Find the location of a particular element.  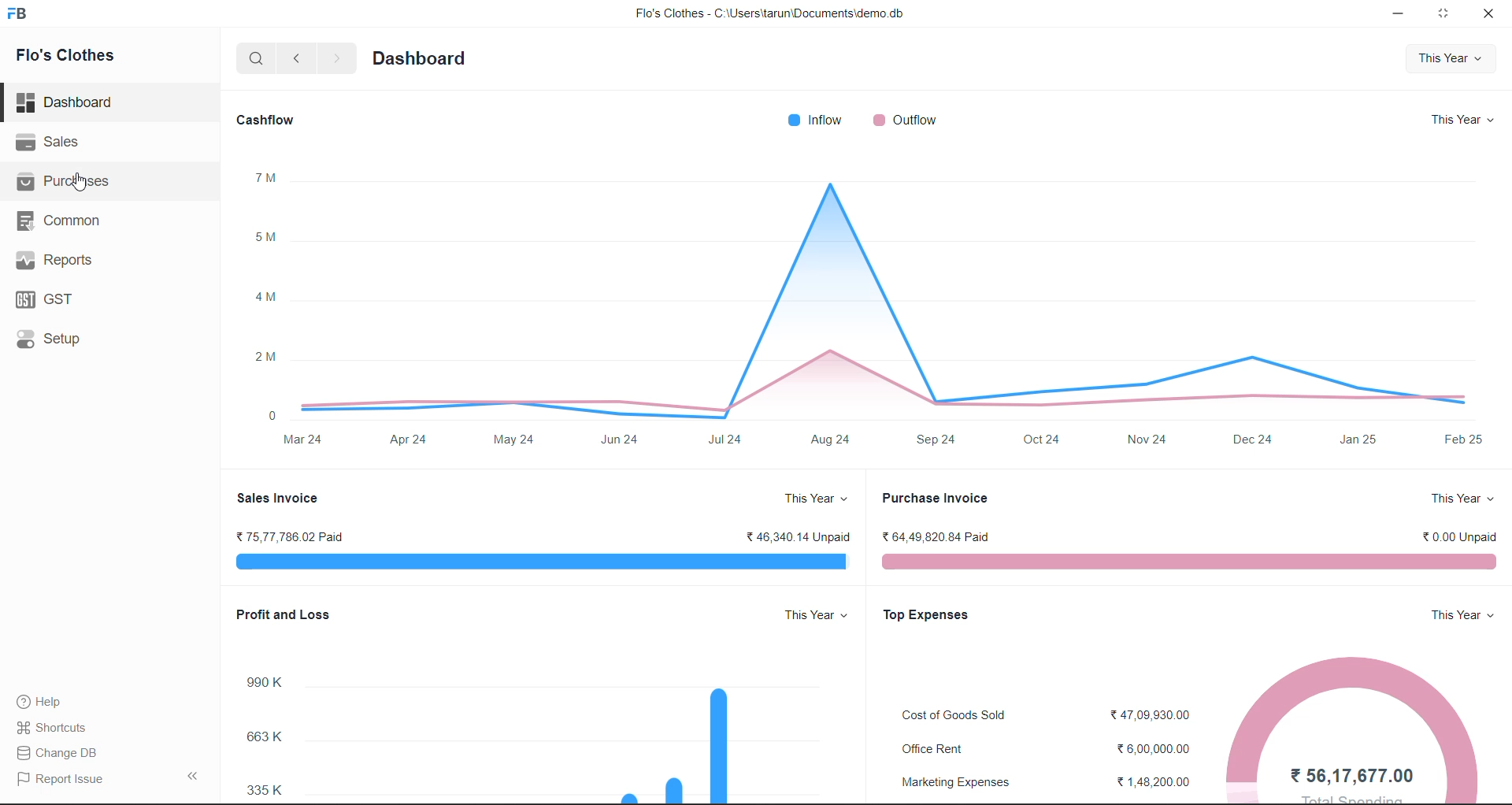

Outflow is located at coordinates (906, 119).